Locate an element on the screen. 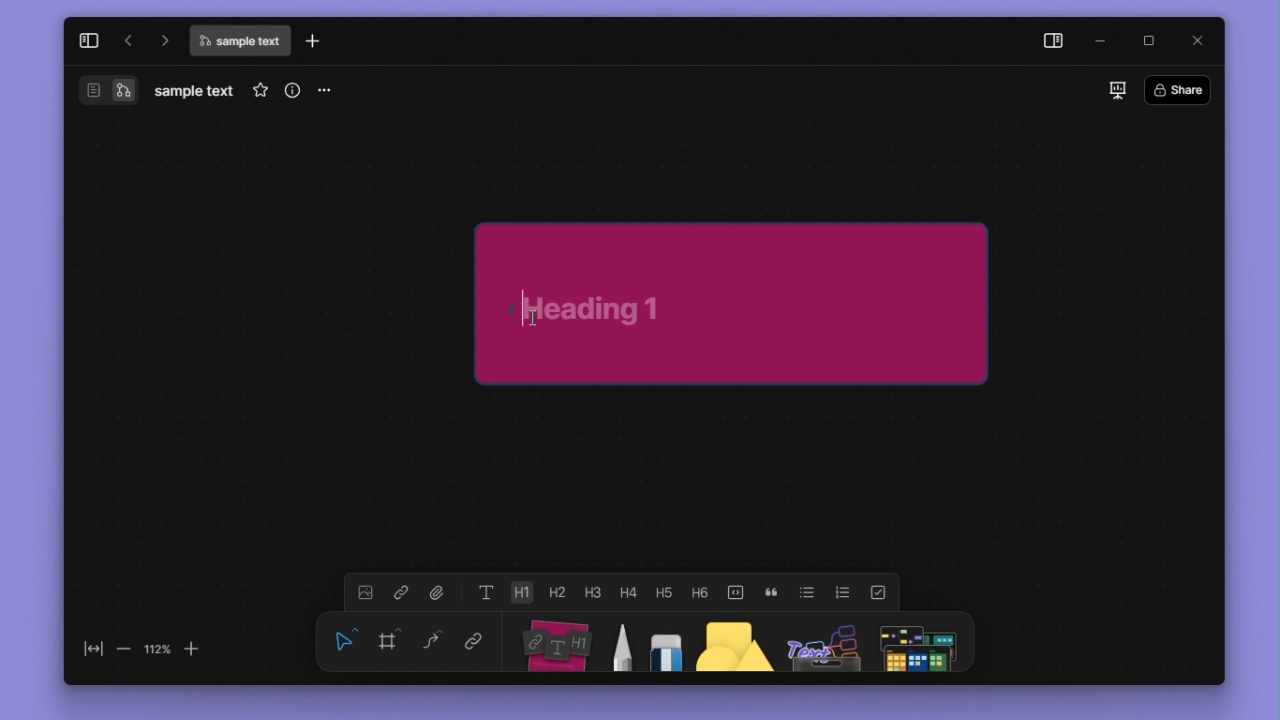 The height and width of the screenshot is (720, 1280). cursor is located at coordinates (533, 318).